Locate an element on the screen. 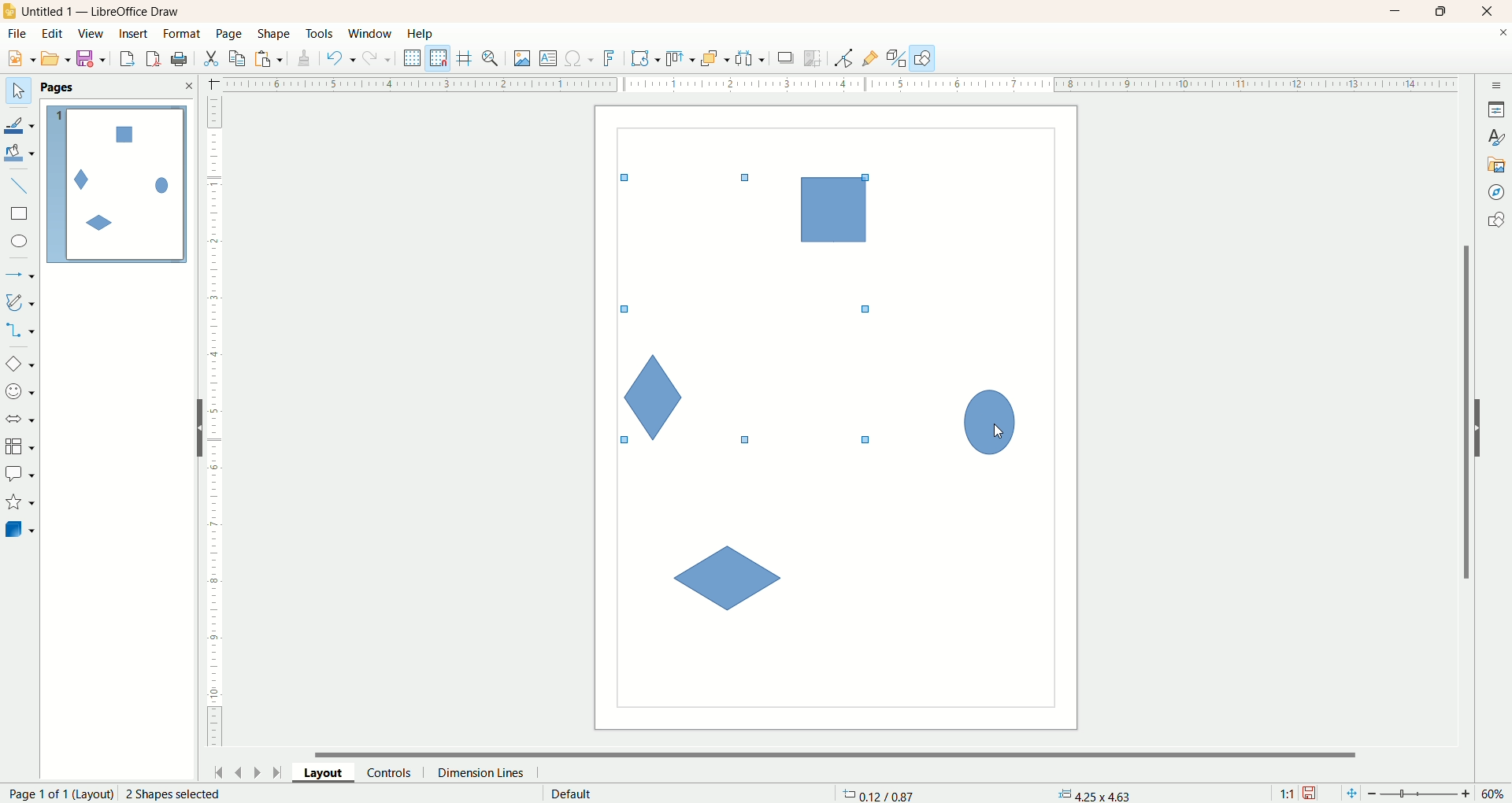  anchor point is located at coordinates (1092, 794).